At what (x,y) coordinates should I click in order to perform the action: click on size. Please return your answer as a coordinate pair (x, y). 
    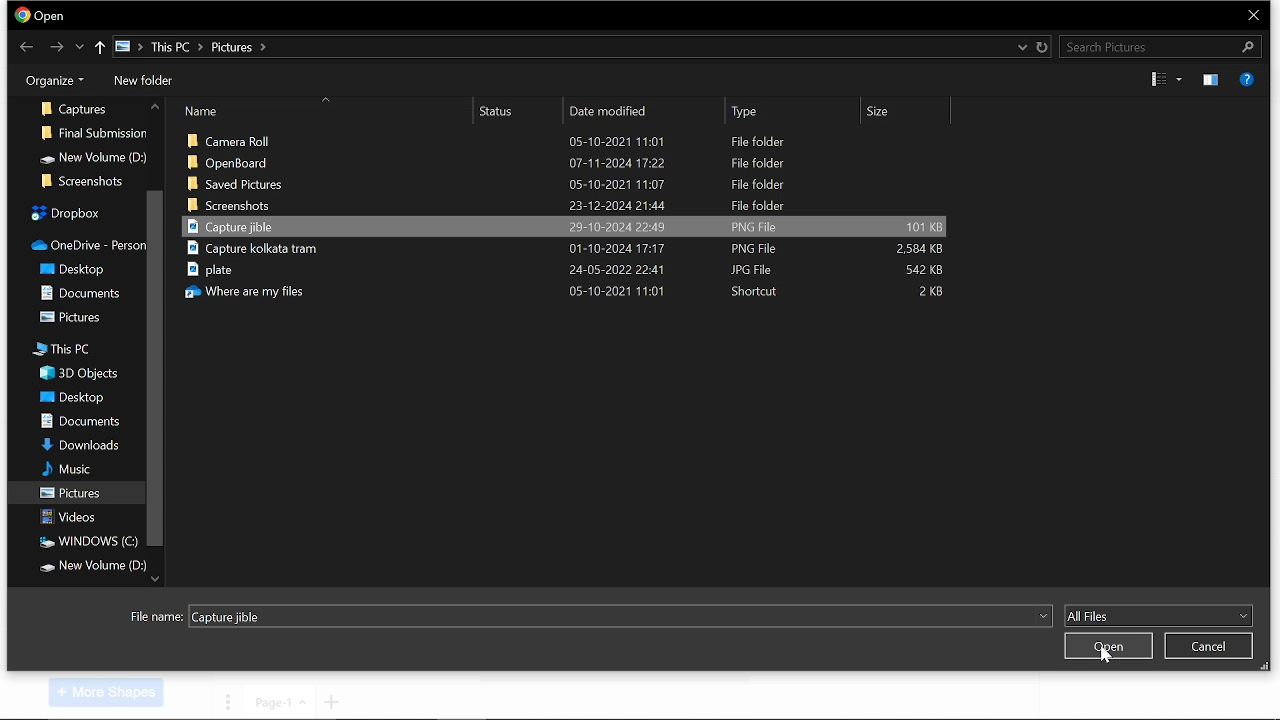
    Looking at the image, I should click on (912, 112).